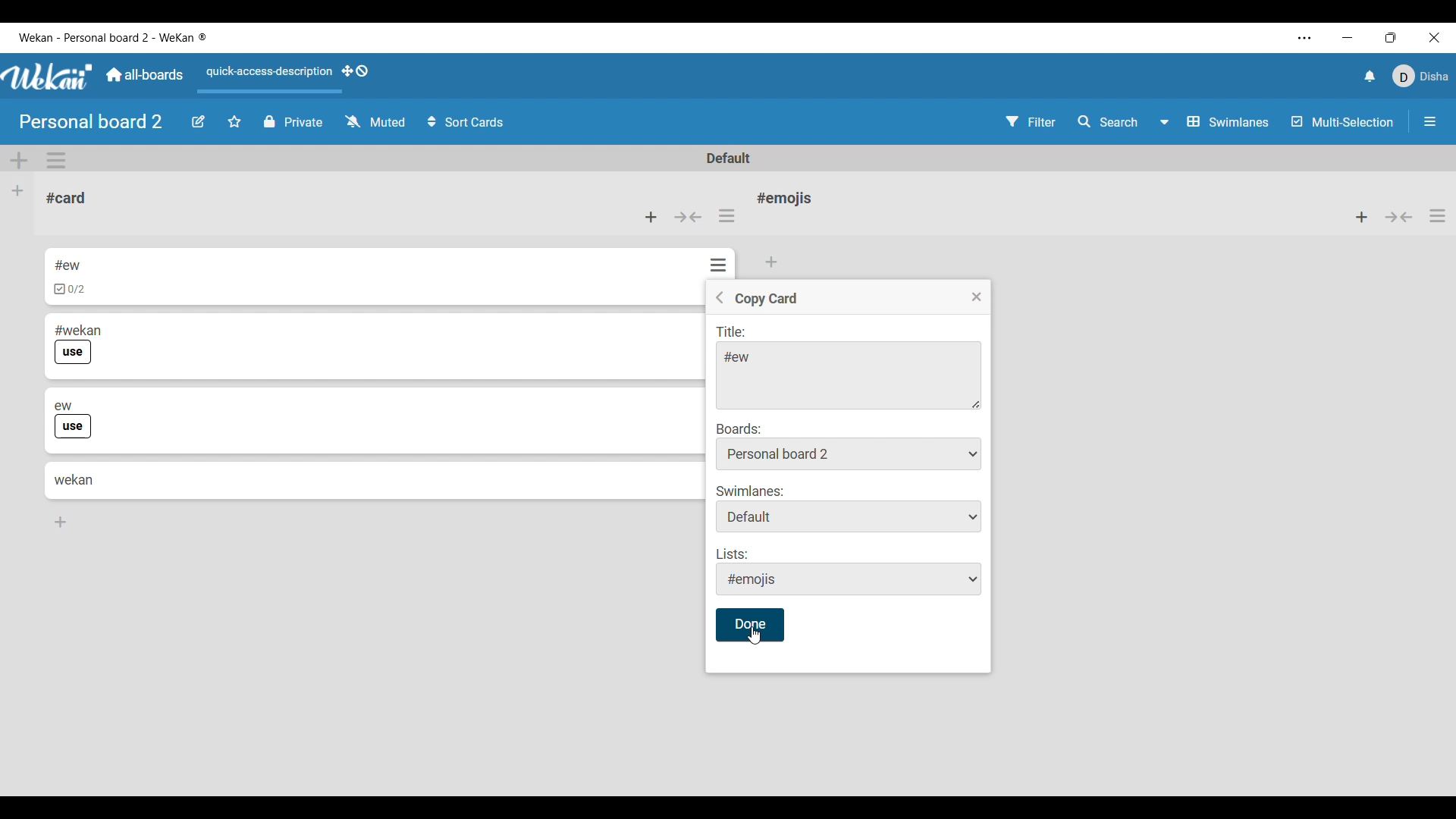  Describe the element at coordinates (726, 215) in the screenshot. I see `List actions` at that location.